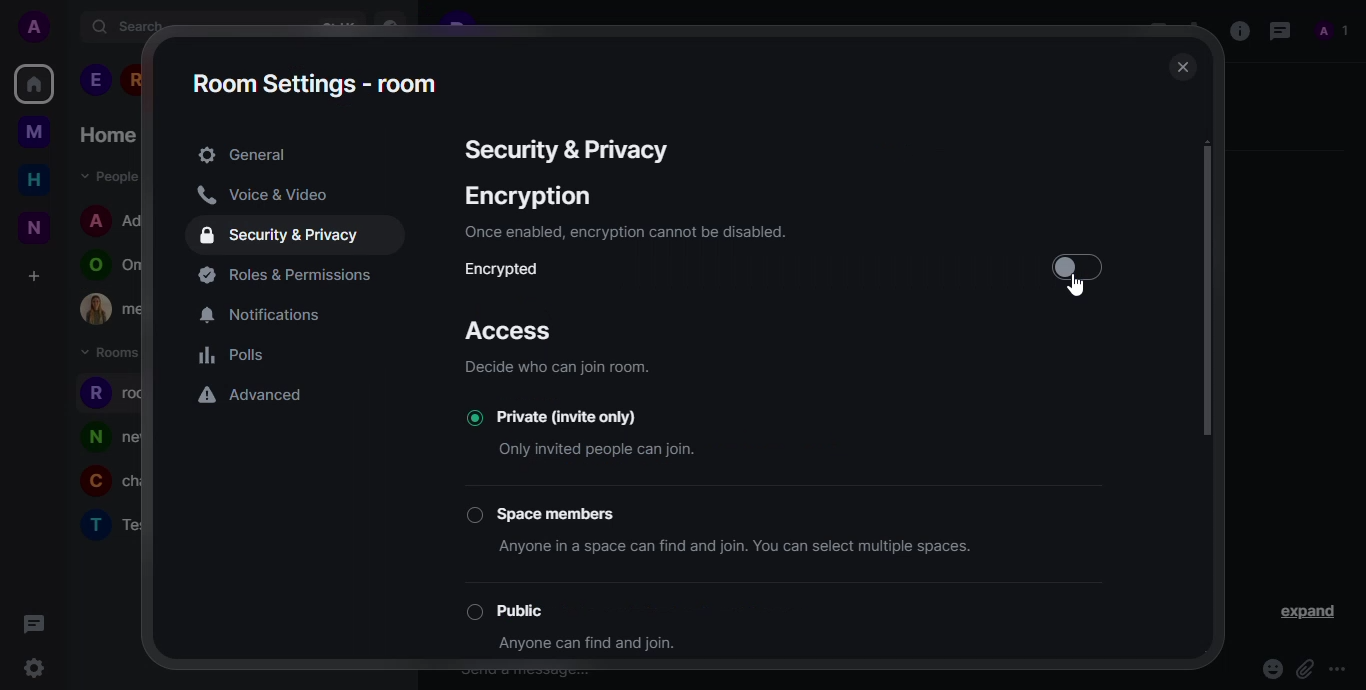 Image resolution: width=1366 pixels, height=690 pixels. Describe the element at coordinates (253, 397) in the screenshot. I see `advanced` at that location.